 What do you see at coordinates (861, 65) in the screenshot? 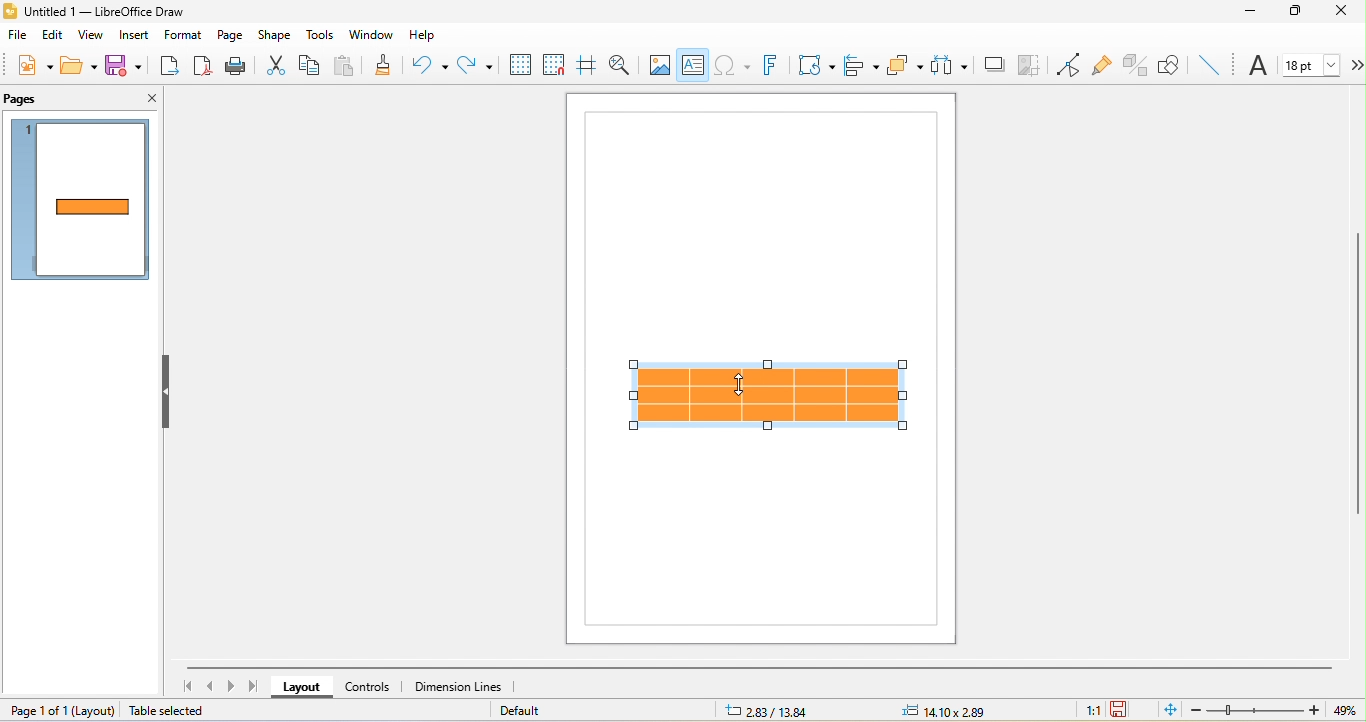
I see `align object` at bounding box center [861, 65].